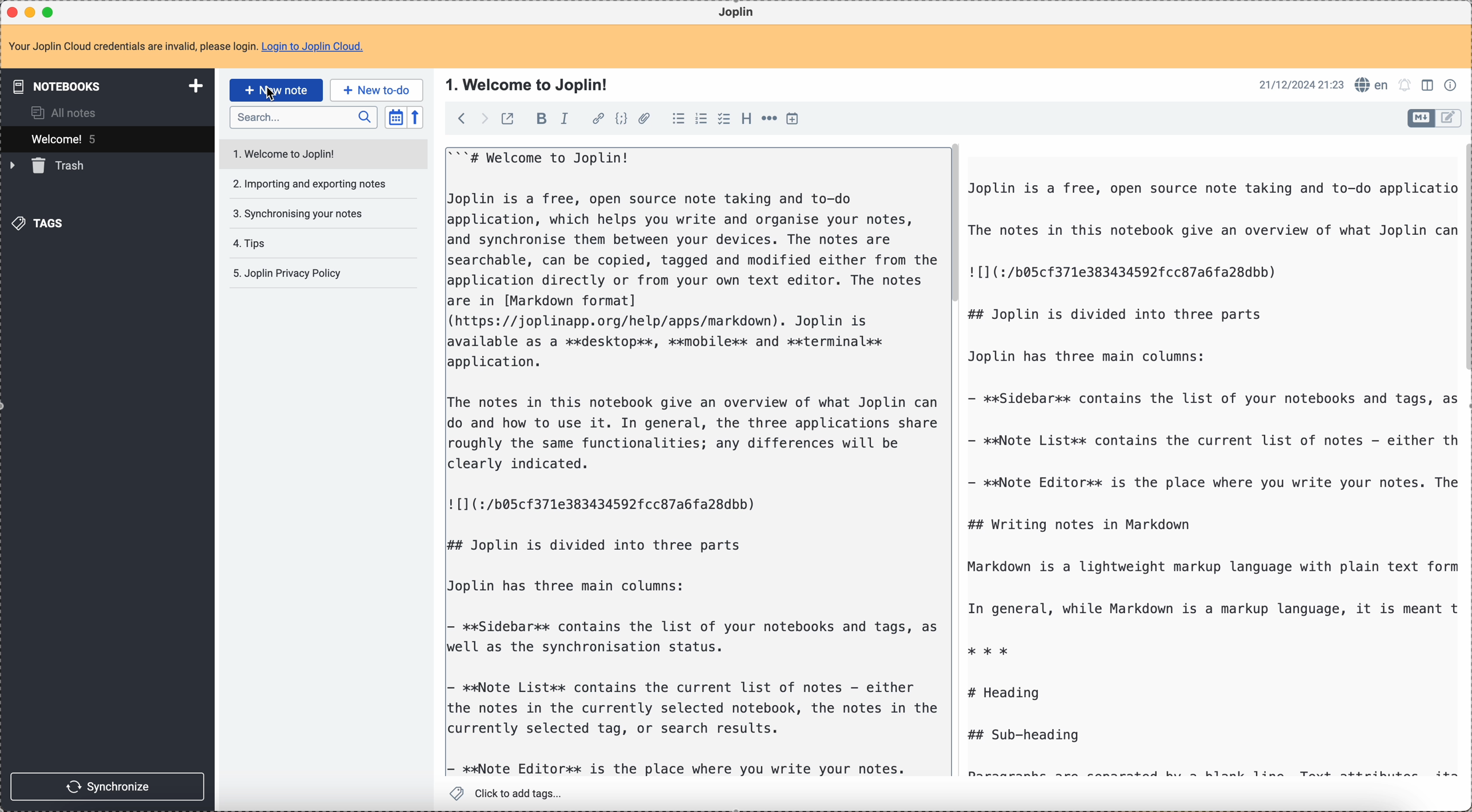 This screenshot has height=812, width=1472. Describe the element at coordinates (1463, 258) in the screenshot. I see `scroll bar` at that location.